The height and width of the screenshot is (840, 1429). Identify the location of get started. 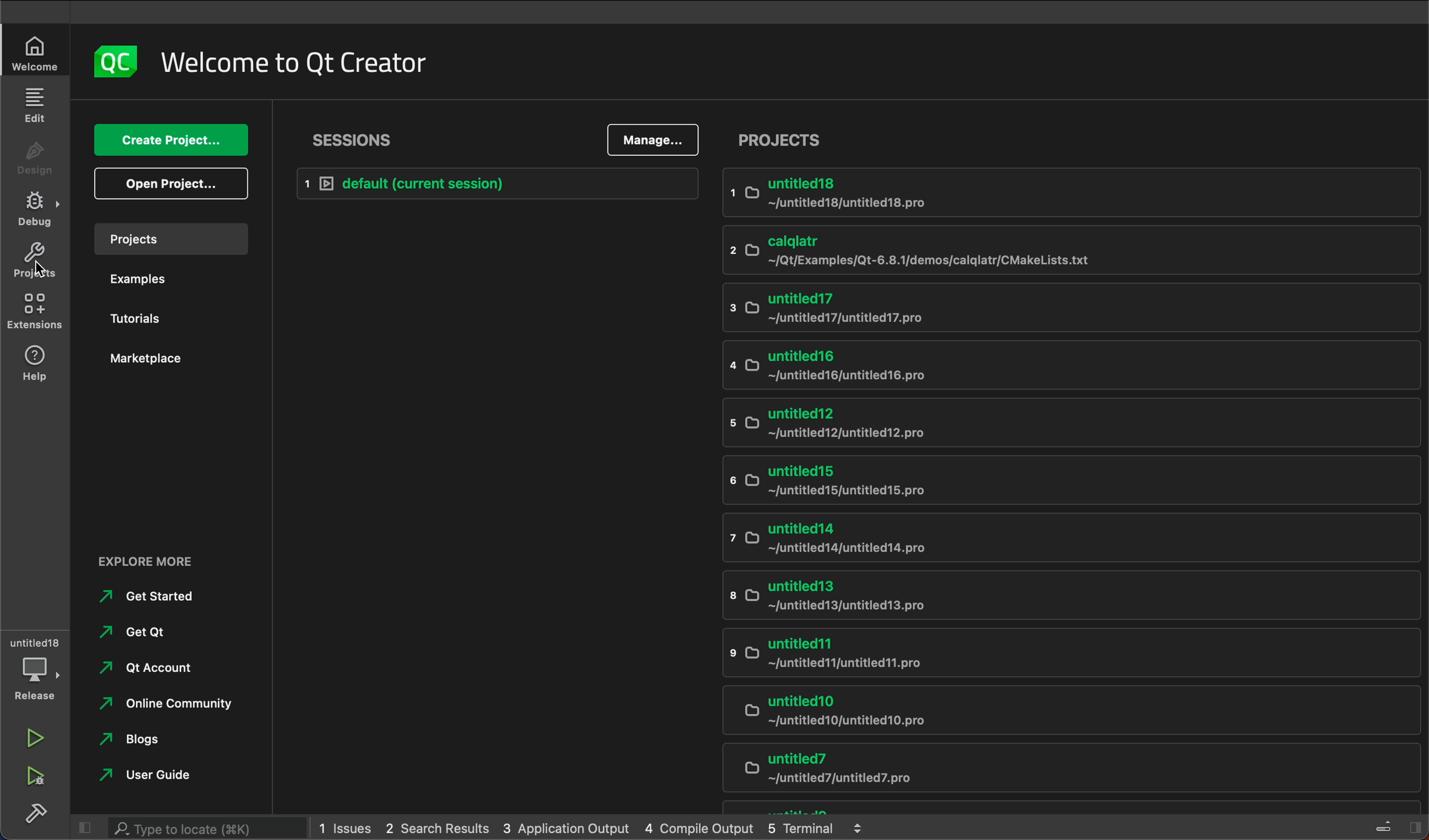
(158, 596).